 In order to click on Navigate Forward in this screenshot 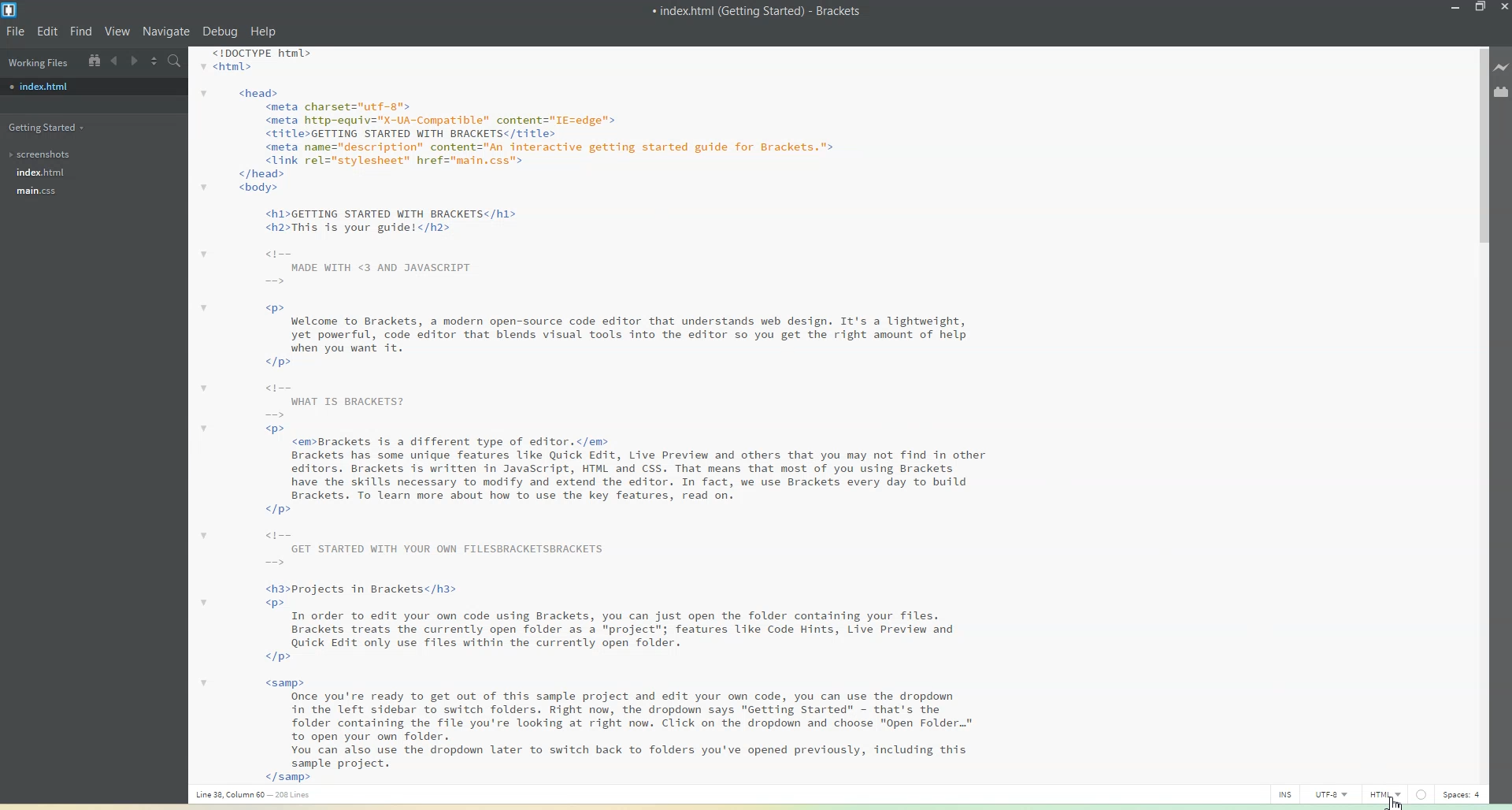, I will do `click(134, 60)`.